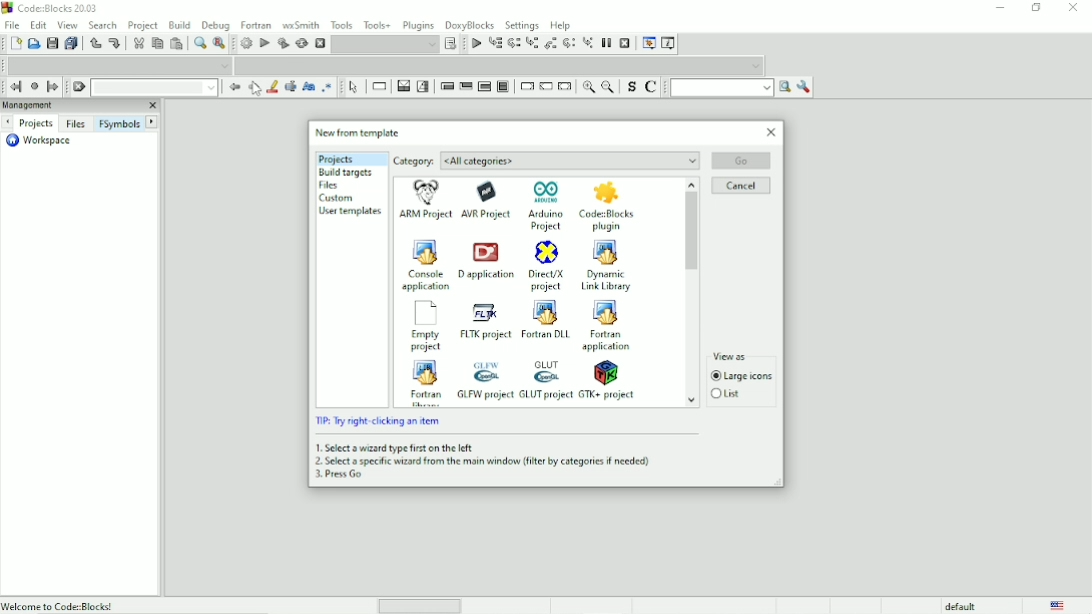 The width and height of the screenshot is (1092, 614). What do you see at coordinates (484, 87) in the screenshot?
I see `Counting loop` at bounding box center [484, 87].